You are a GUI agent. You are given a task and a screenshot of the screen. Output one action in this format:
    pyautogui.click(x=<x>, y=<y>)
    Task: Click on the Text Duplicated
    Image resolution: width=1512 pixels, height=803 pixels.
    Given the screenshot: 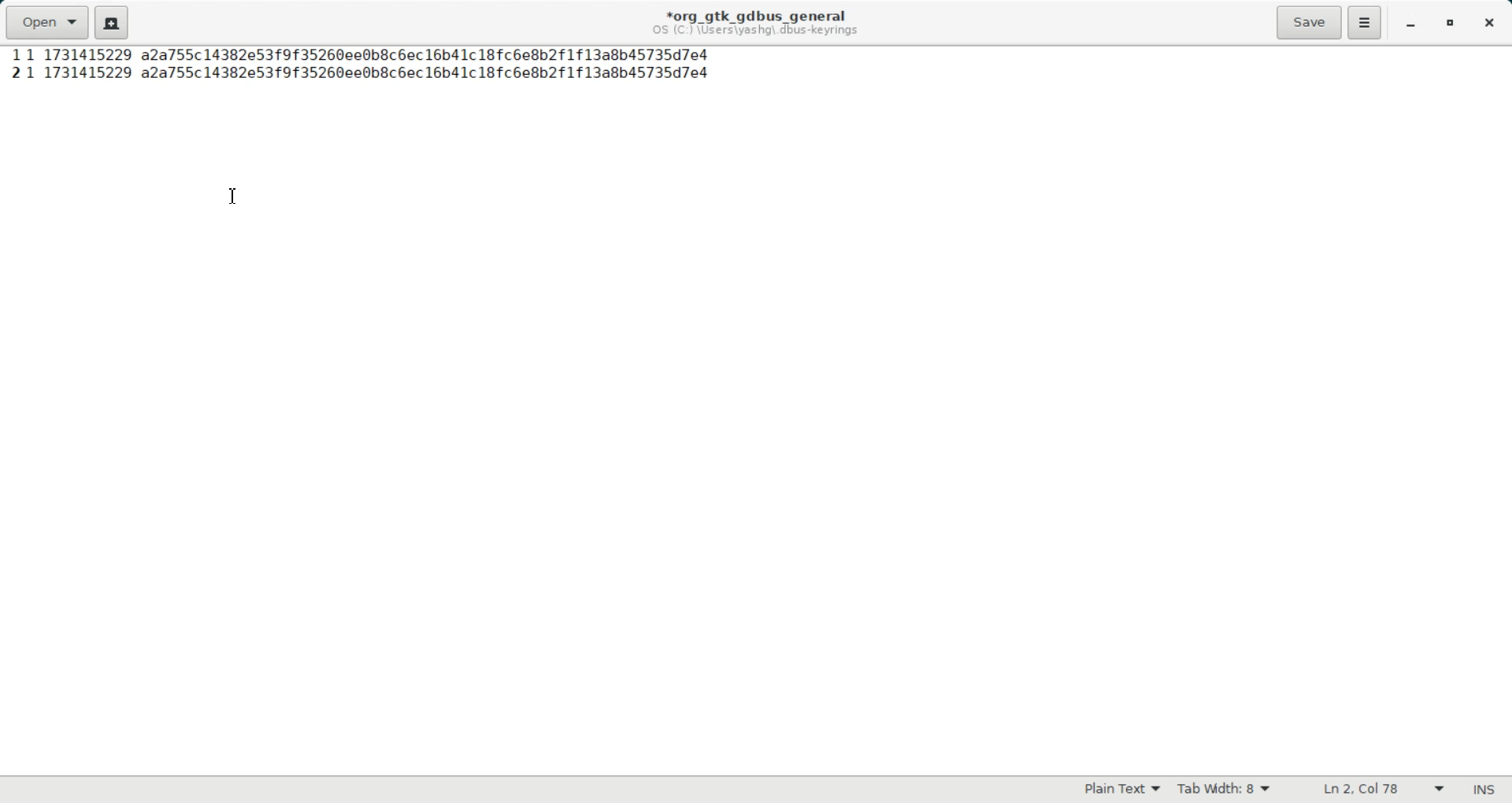 What is the action you would take?
    pyautogui.click(x=372, y=72)
    